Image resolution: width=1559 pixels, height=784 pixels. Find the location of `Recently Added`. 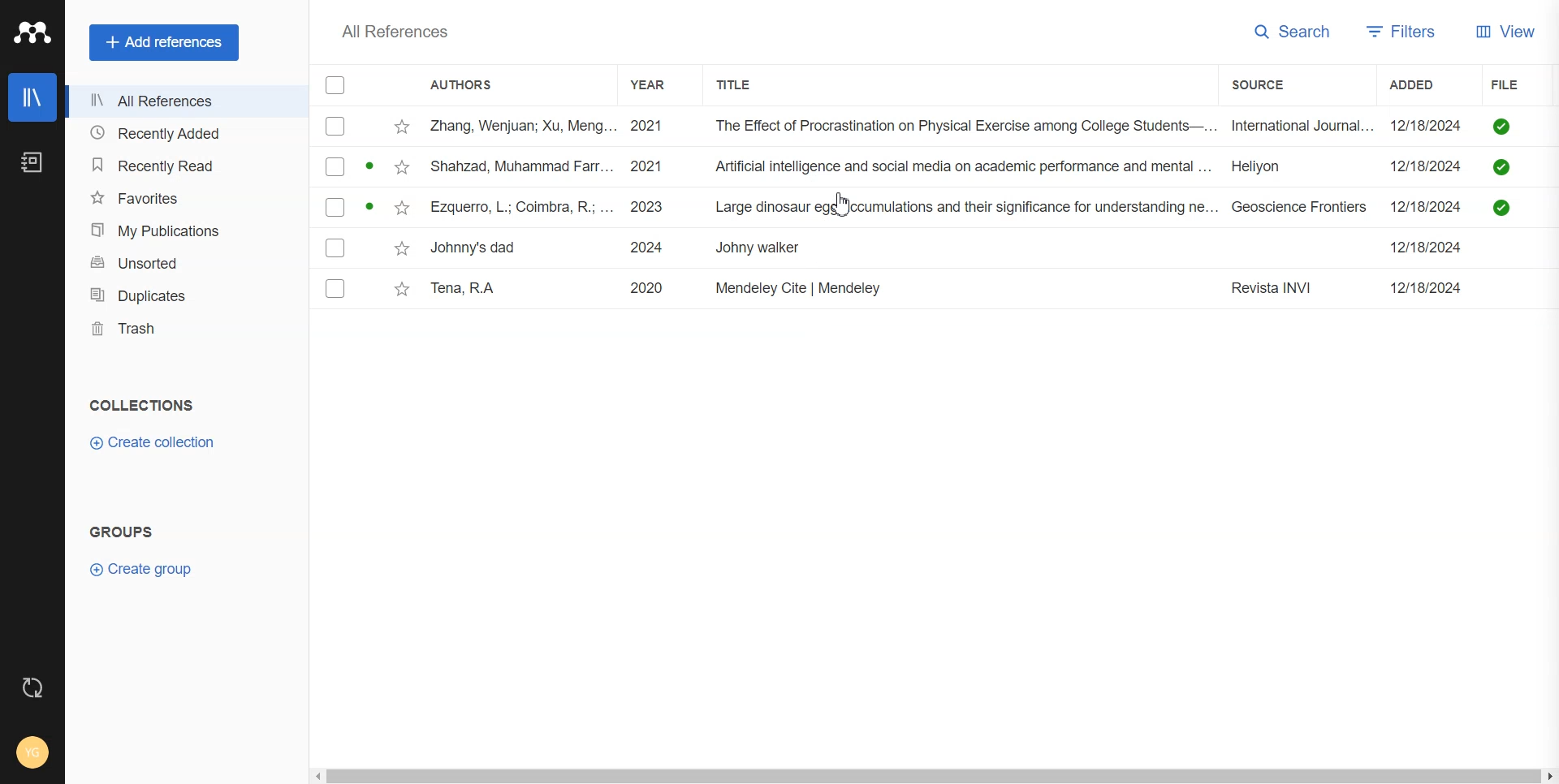

Recently Added is located at coordinates (185, 132).